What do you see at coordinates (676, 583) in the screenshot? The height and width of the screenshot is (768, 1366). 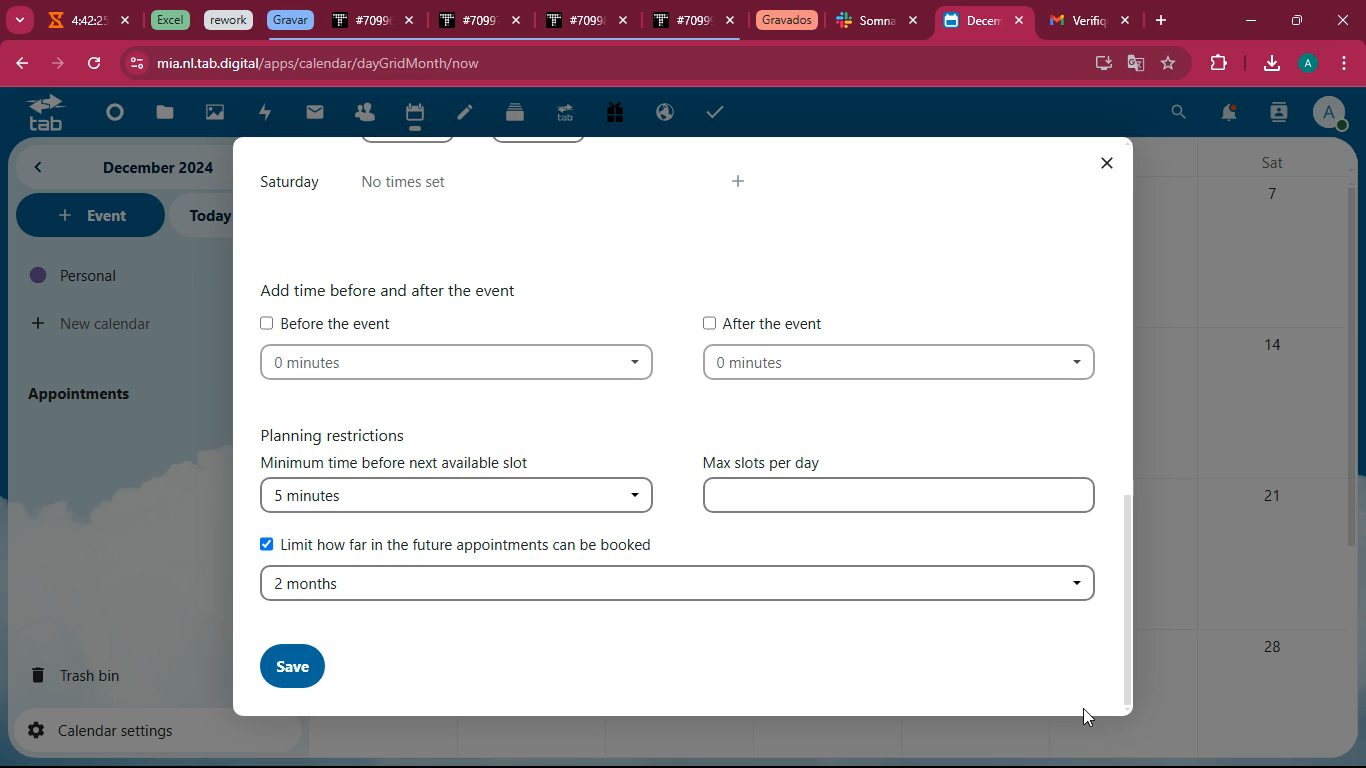 I see `2 months` at bounding box center [676, 583].